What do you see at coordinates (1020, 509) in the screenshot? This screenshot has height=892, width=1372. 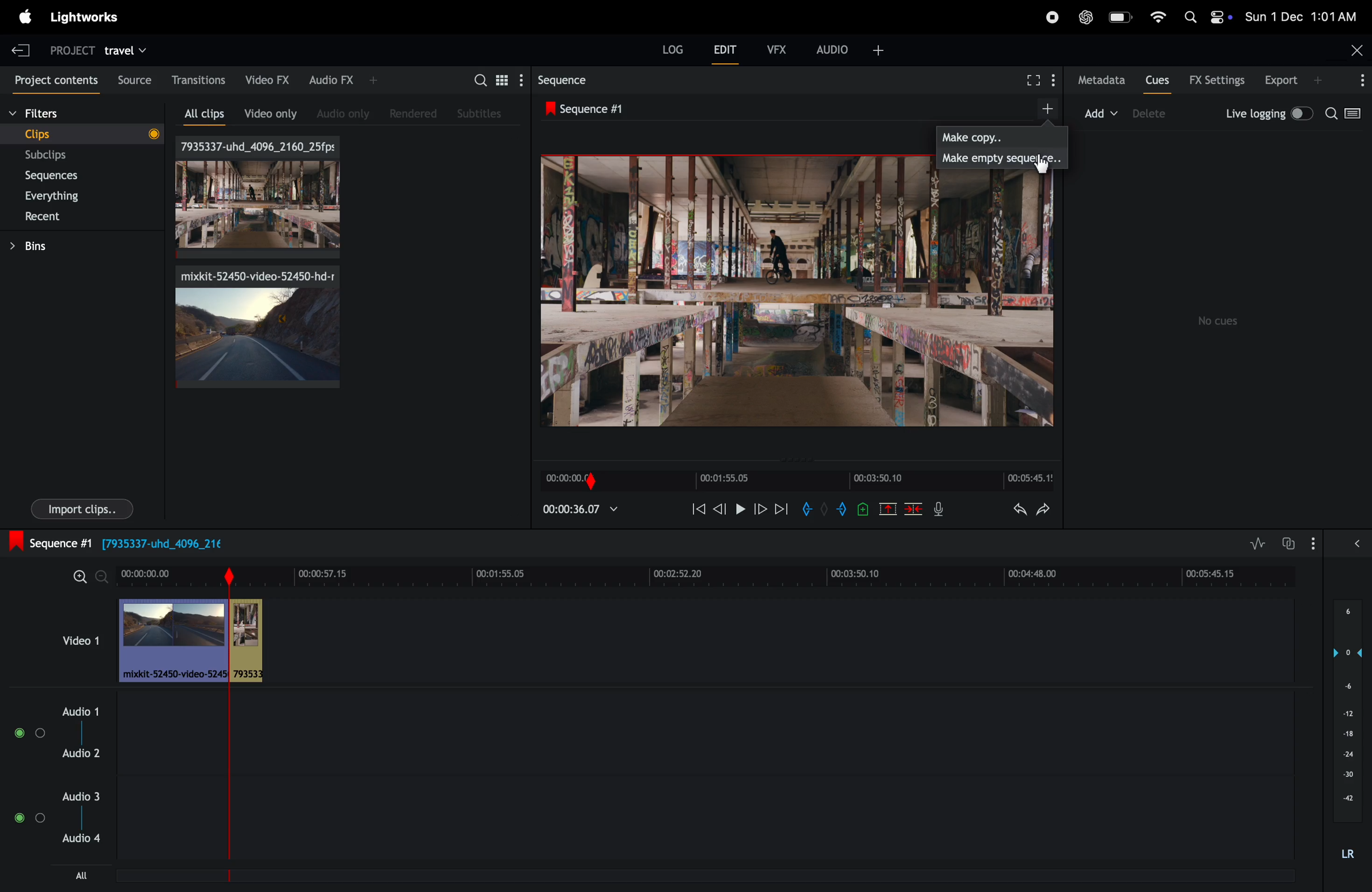 I see `undo` at bounding box center [1020, 509].